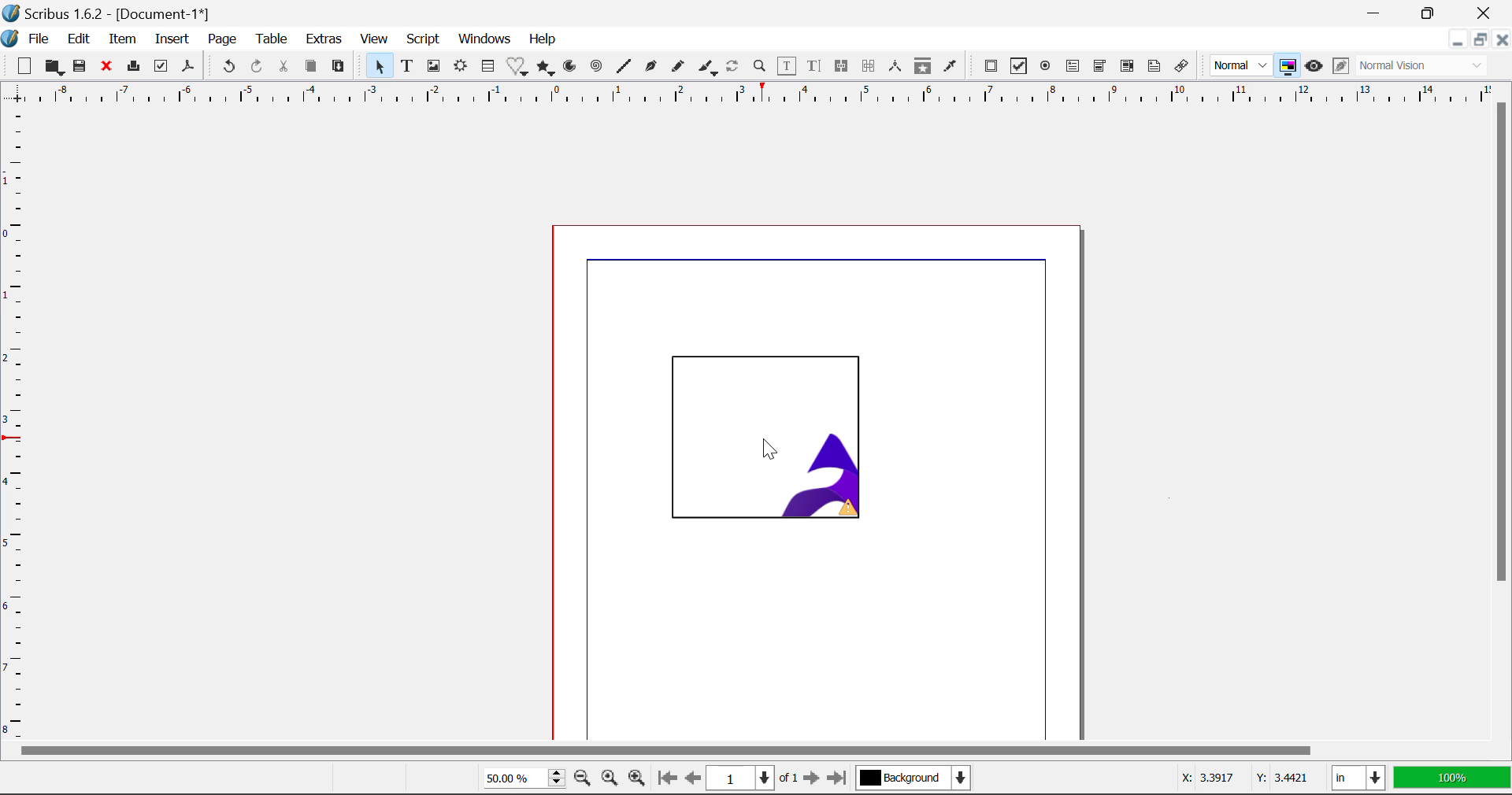  I want to click on Scribus 1.6.2 - [Document-1*], so click(132, 13).